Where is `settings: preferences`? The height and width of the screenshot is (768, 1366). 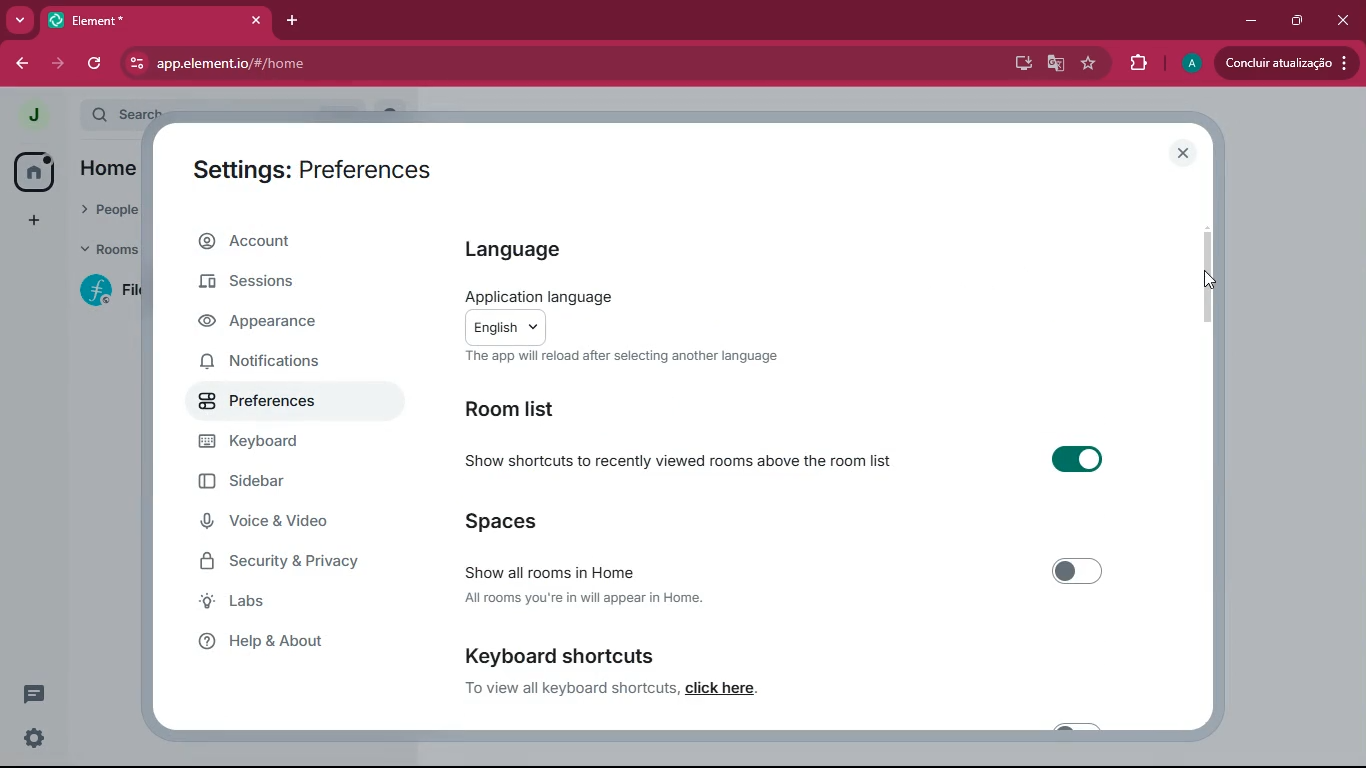 settings: preferences is located at coordinates (310, 169).